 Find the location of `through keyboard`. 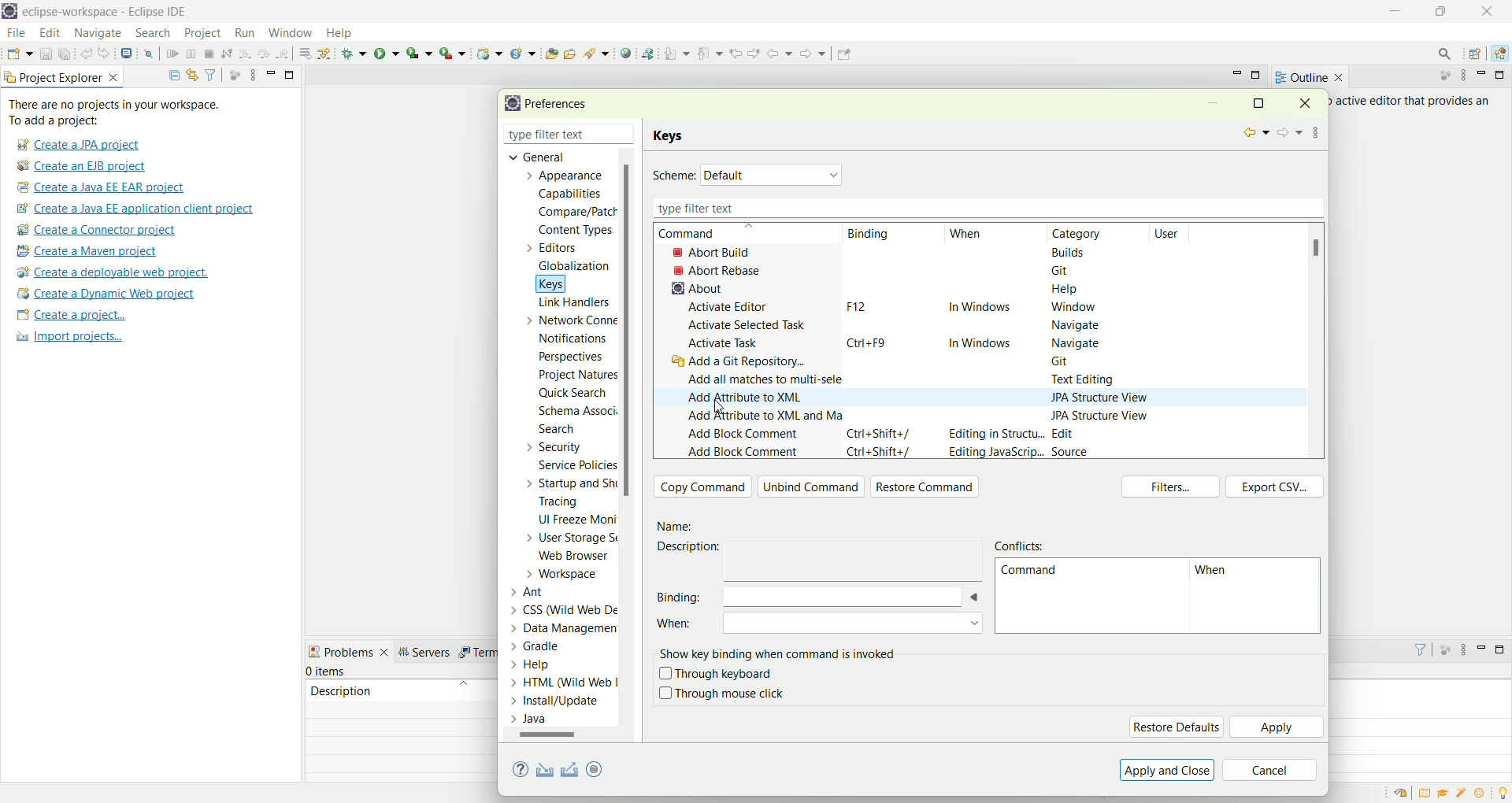

through keyboard is located at coordinates (716, 675).